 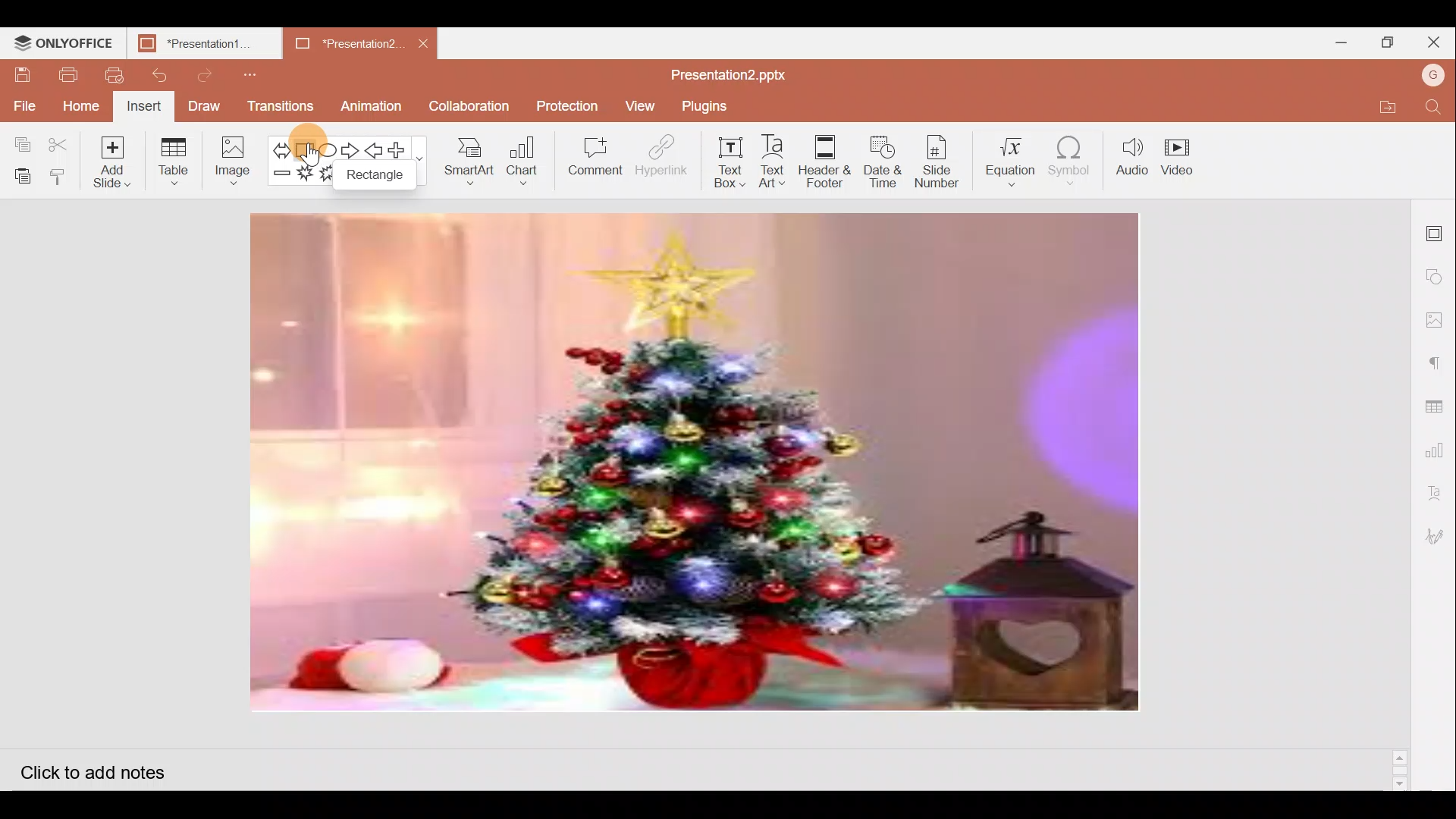 What do you see at coordinates (374, 149) in the screenshot?
I see `Left arrow` at bounding box center [374, 149].